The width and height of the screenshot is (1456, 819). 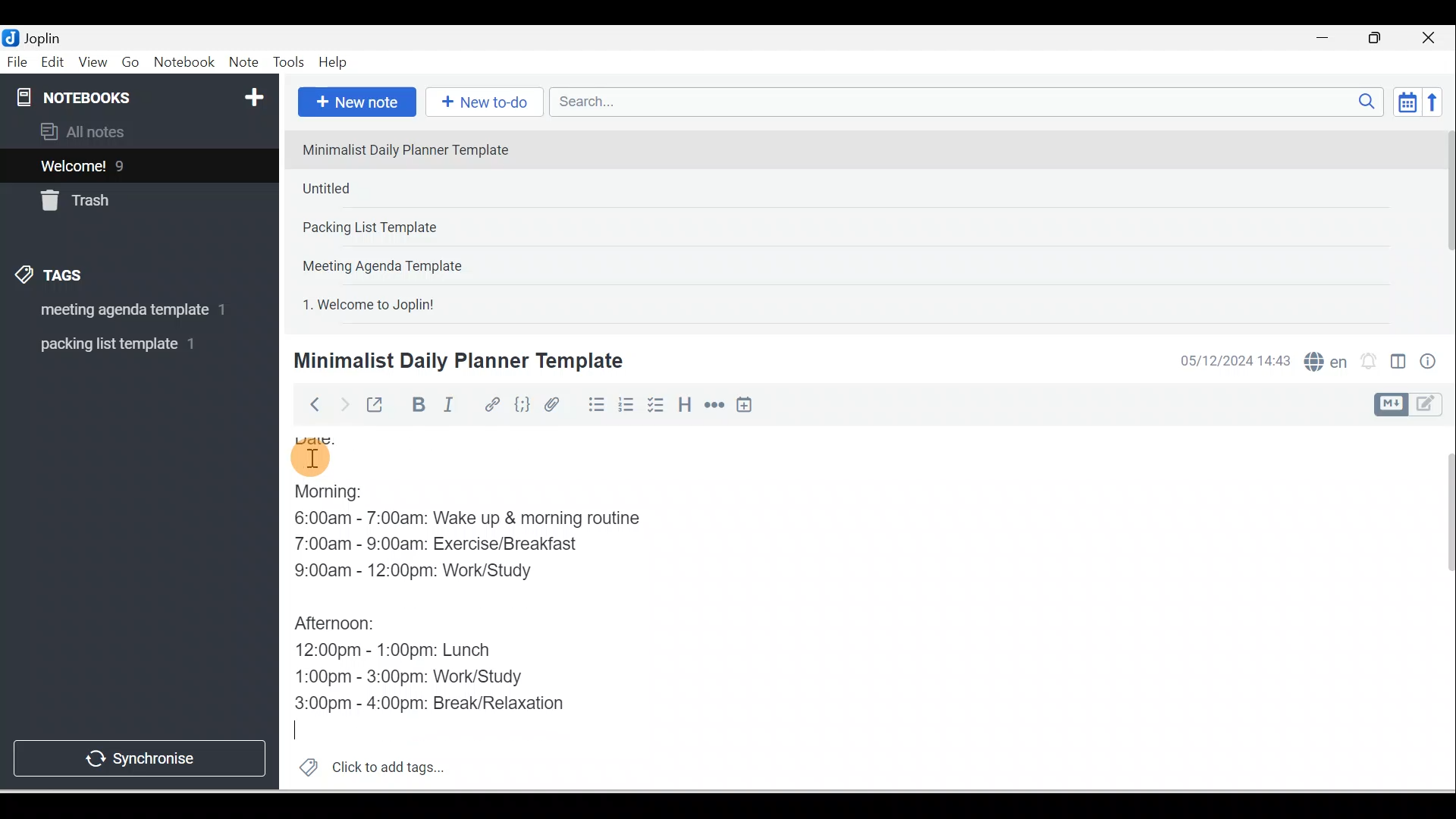 What do you see at coordinates (456, 361) in the screenshot?
I see `Minimalist Daily Planner Template` at bounding box center [456, 361].